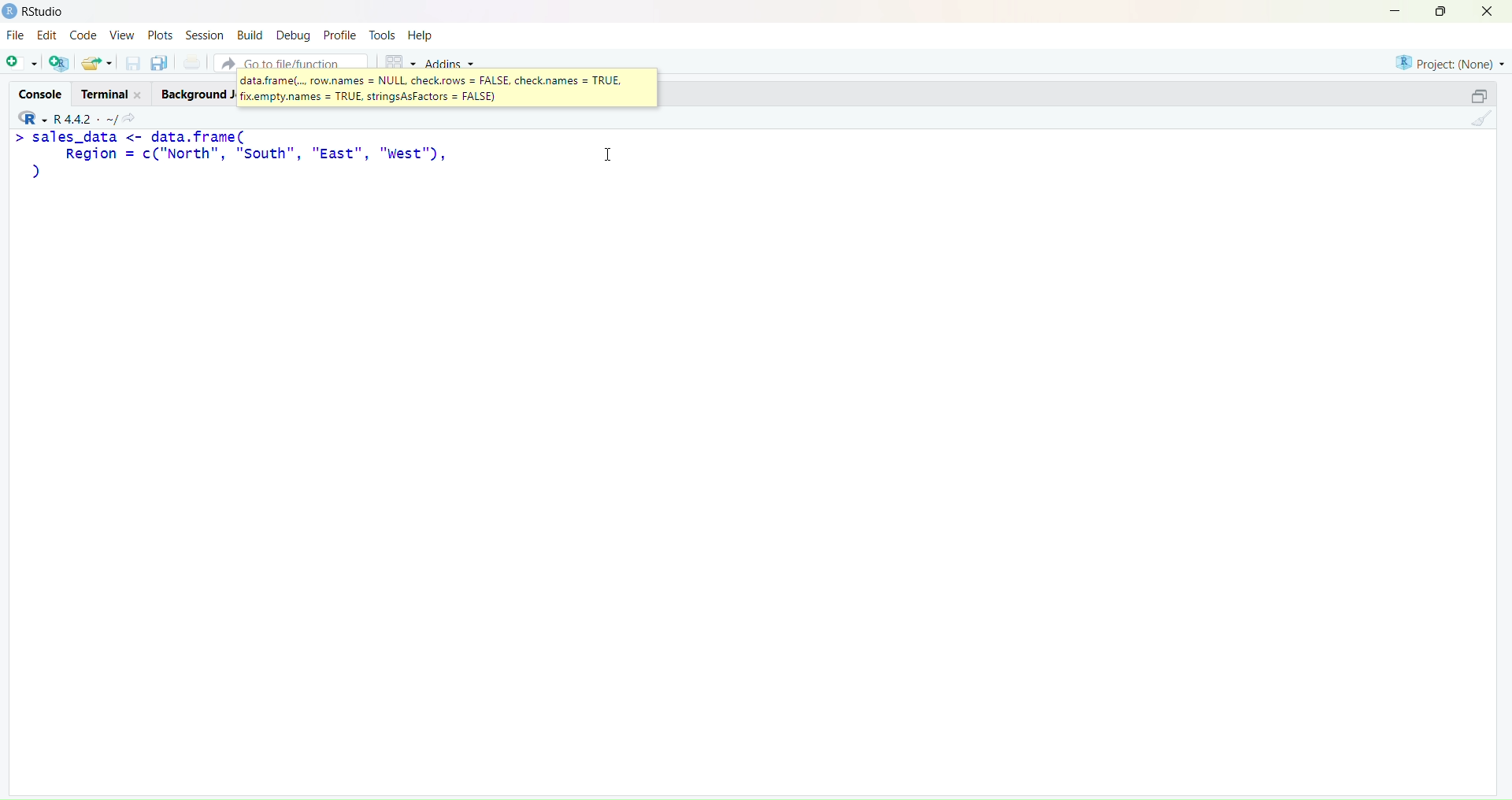 The height and width of the screenshot is (800, 1512). What do you see at coordinates (1450, 61) in the screenshot?
I see `Project: (None)` at bounding box center [1450, 61].